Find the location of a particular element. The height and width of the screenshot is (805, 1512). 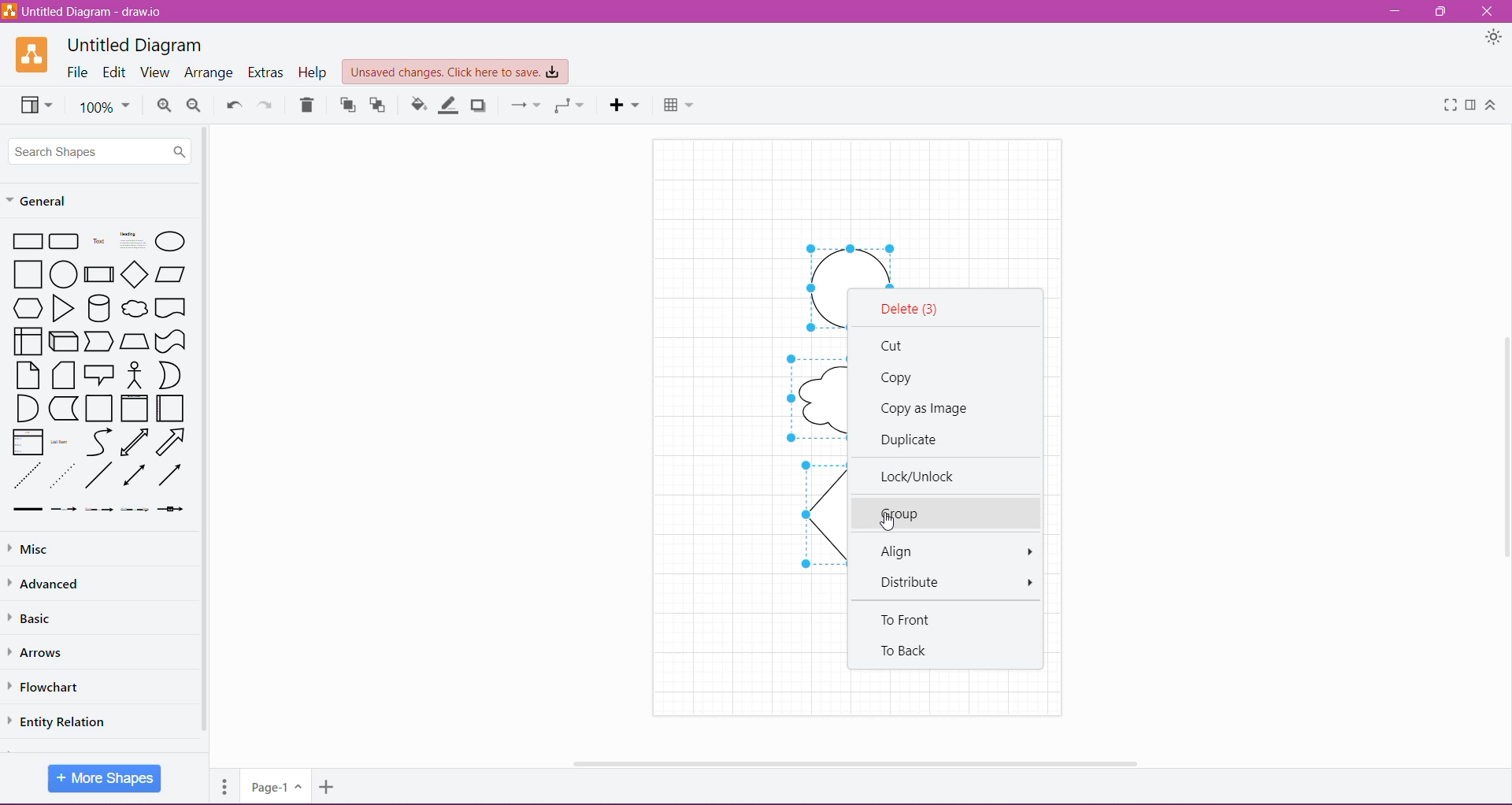

Waypoints is located at coordinates (568, 106).